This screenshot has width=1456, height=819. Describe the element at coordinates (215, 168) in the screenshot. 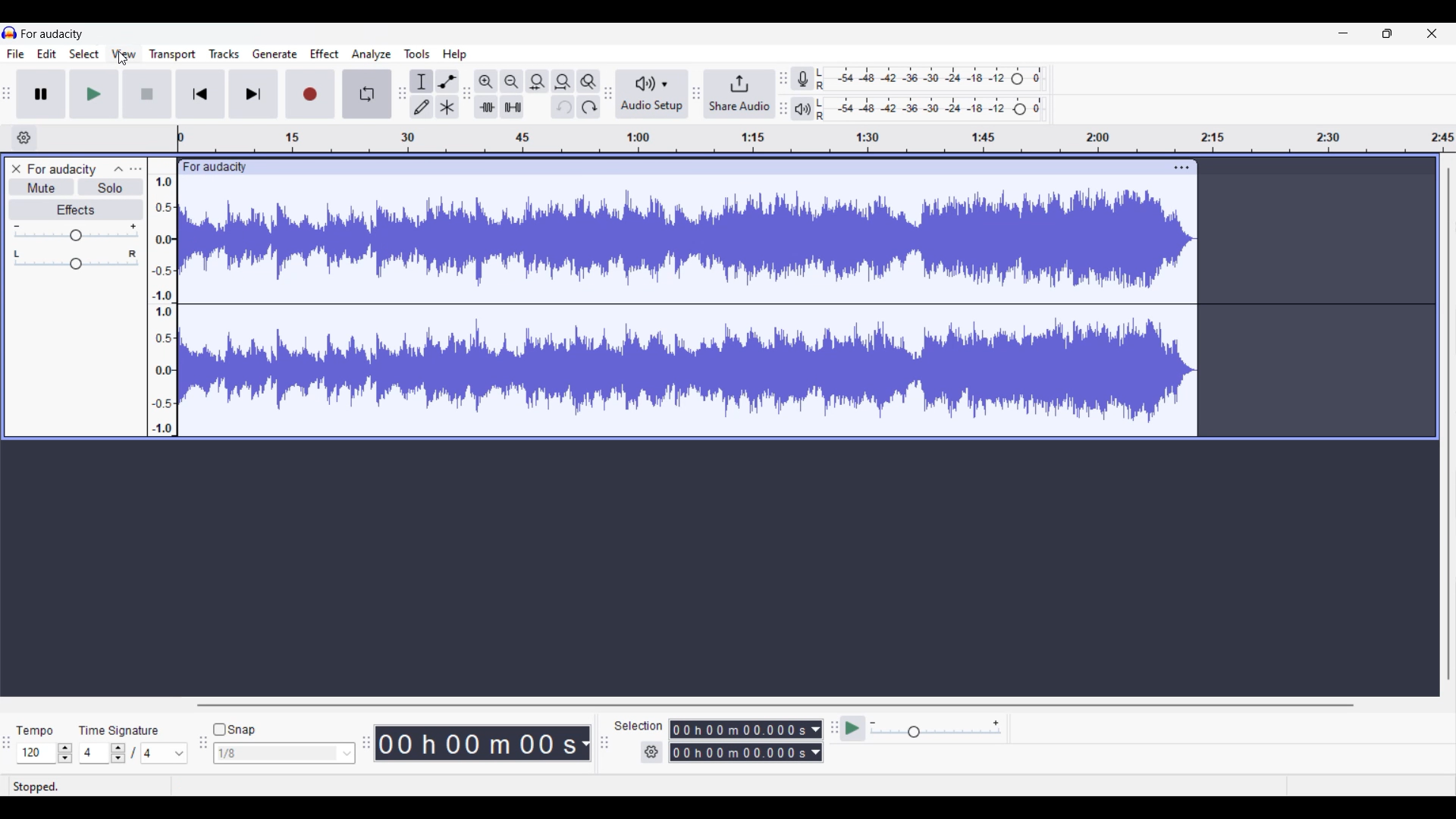

I see `for audacity` at that location.